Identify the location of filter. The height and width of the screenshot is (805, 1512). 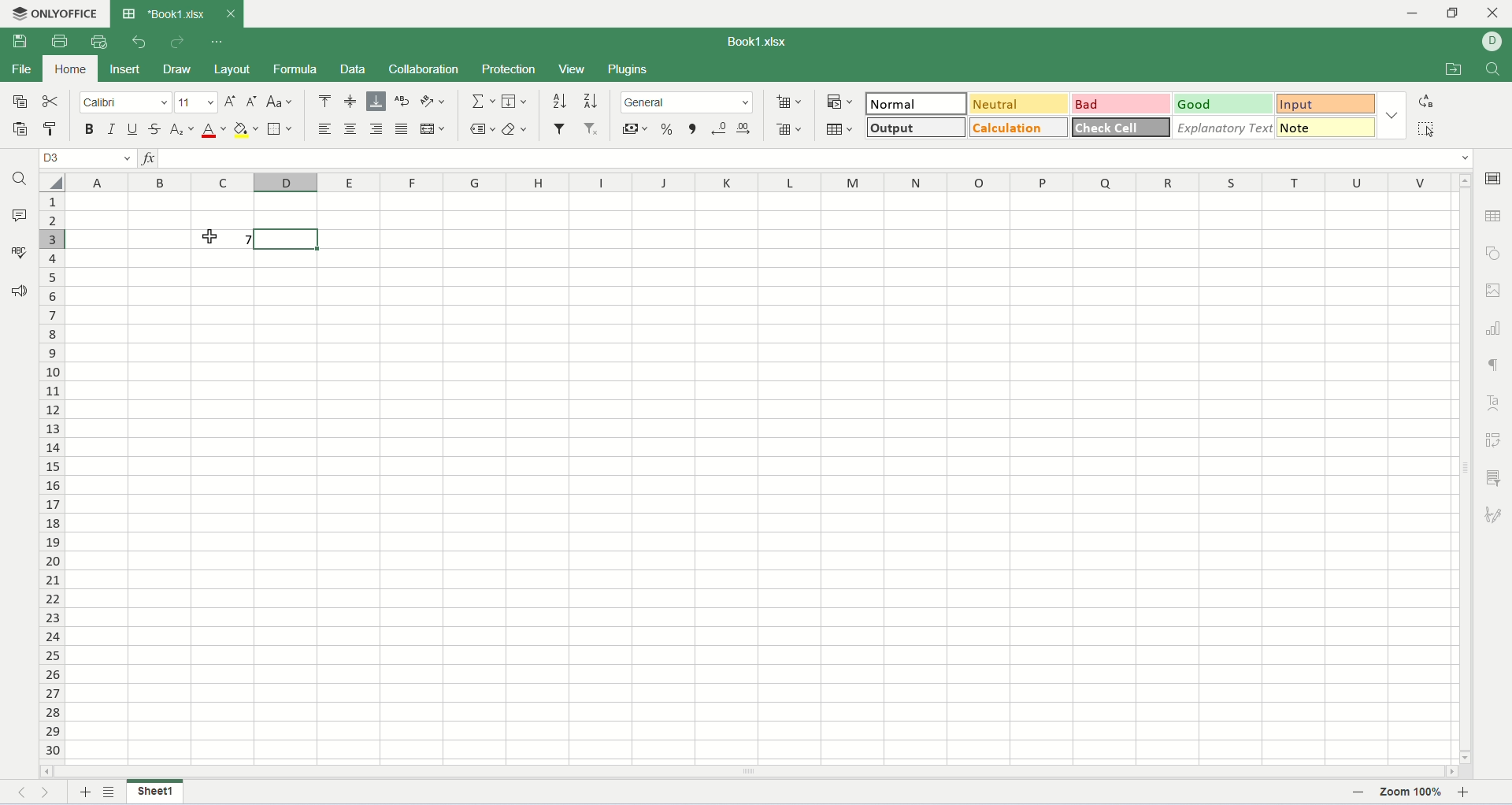
(561, 128).